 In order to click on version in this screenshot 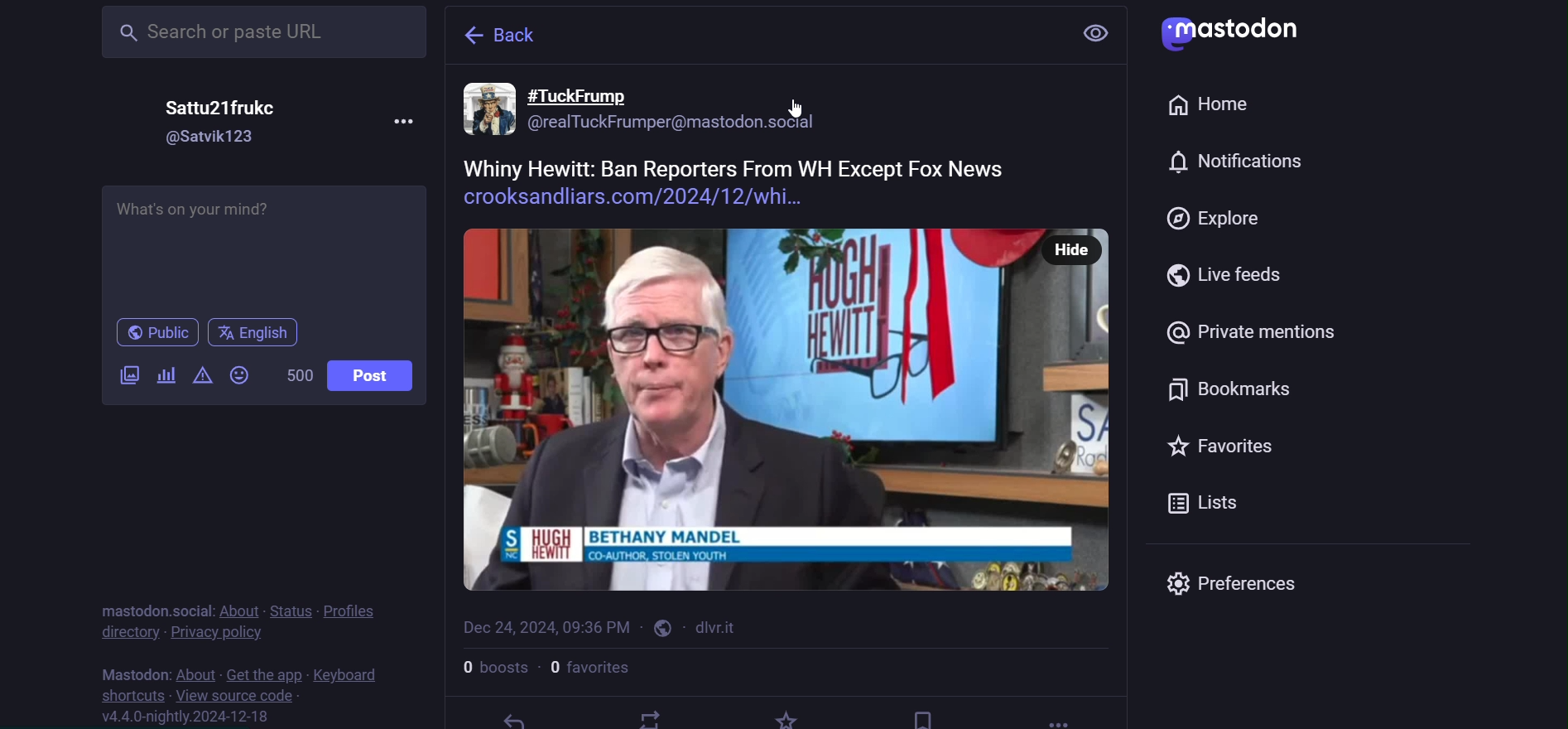, I will do `click(196, 717)`.